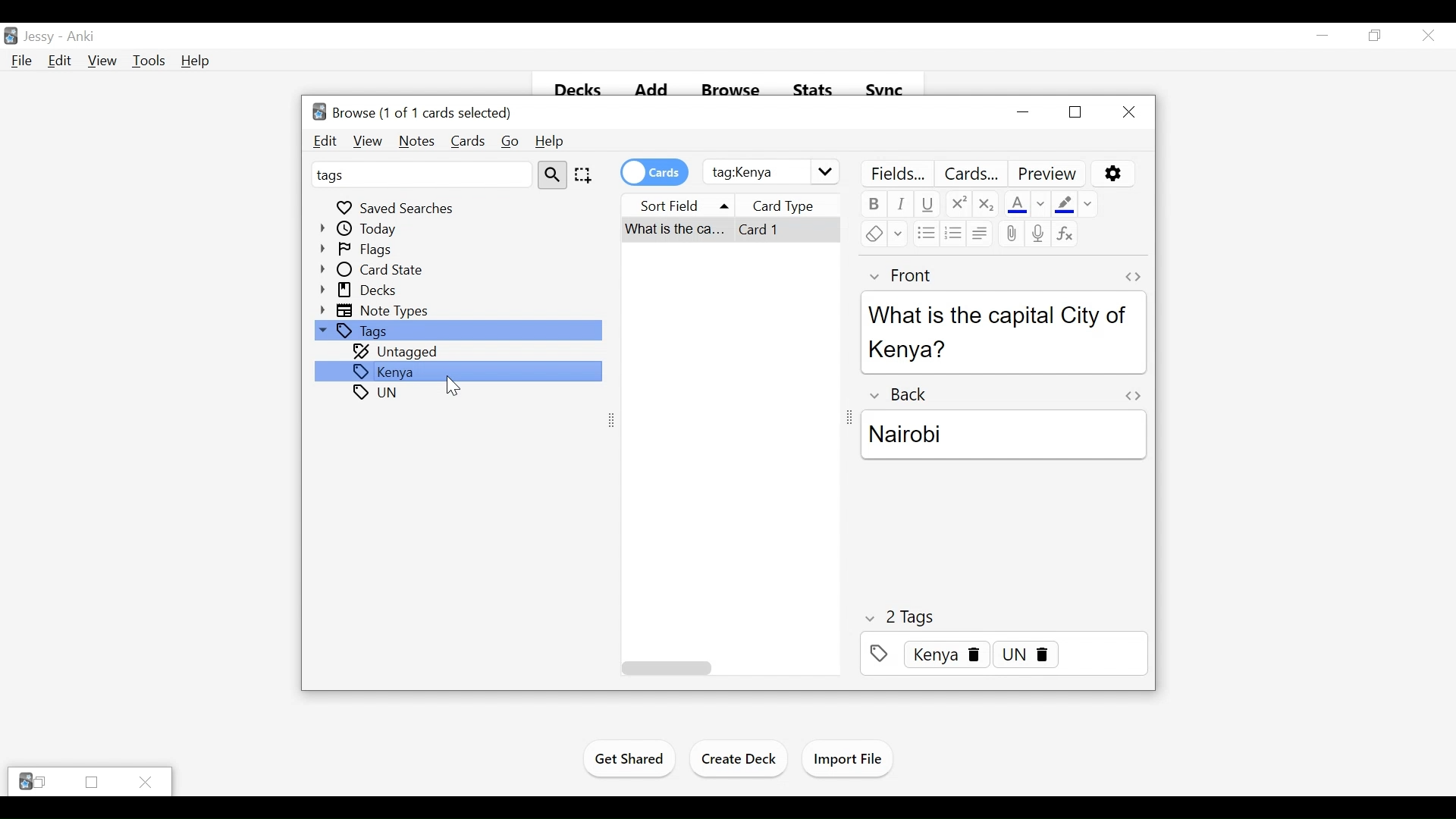 This screenshot has height=819, width=1456. I want to click on Restore, so click(1075, 111).